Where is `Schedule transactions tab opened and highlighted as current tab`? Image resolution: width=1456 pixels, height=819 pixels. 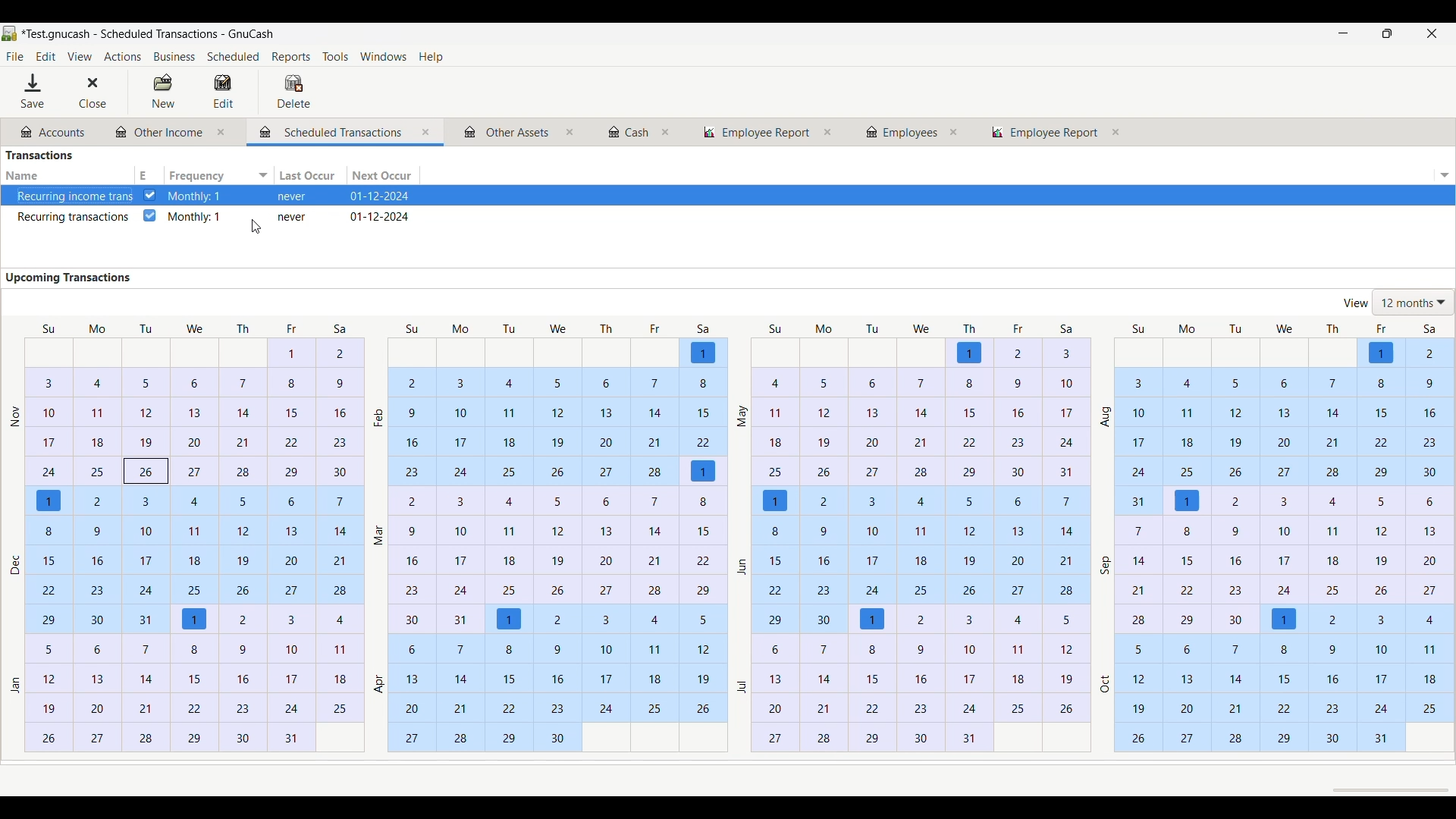
Schedule transactions tab opened and highlighted as current tab is located at coordinates (337, 131).